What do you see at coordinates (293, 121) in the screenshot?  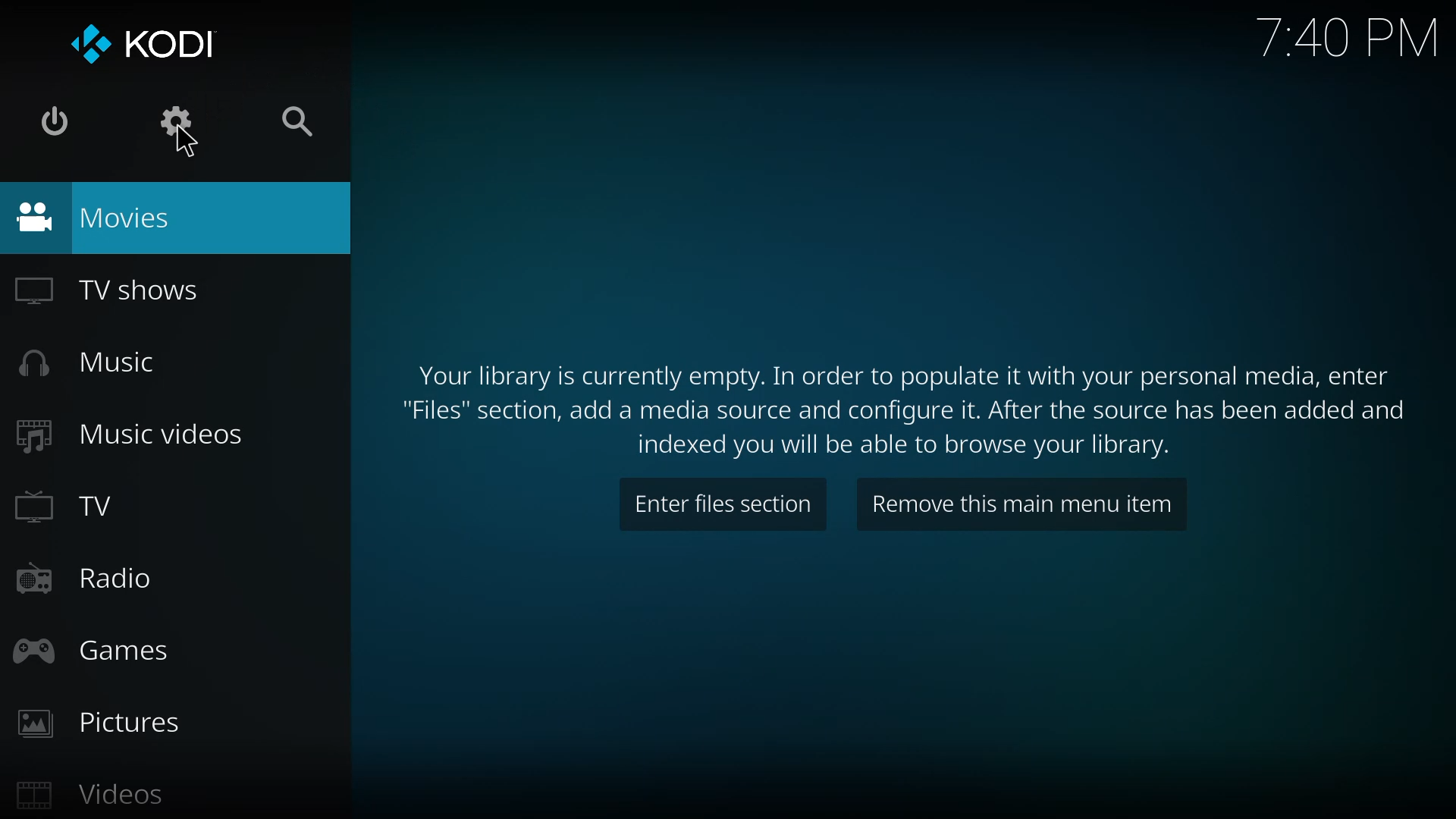 I see `search` at bounding box center [293, 121].